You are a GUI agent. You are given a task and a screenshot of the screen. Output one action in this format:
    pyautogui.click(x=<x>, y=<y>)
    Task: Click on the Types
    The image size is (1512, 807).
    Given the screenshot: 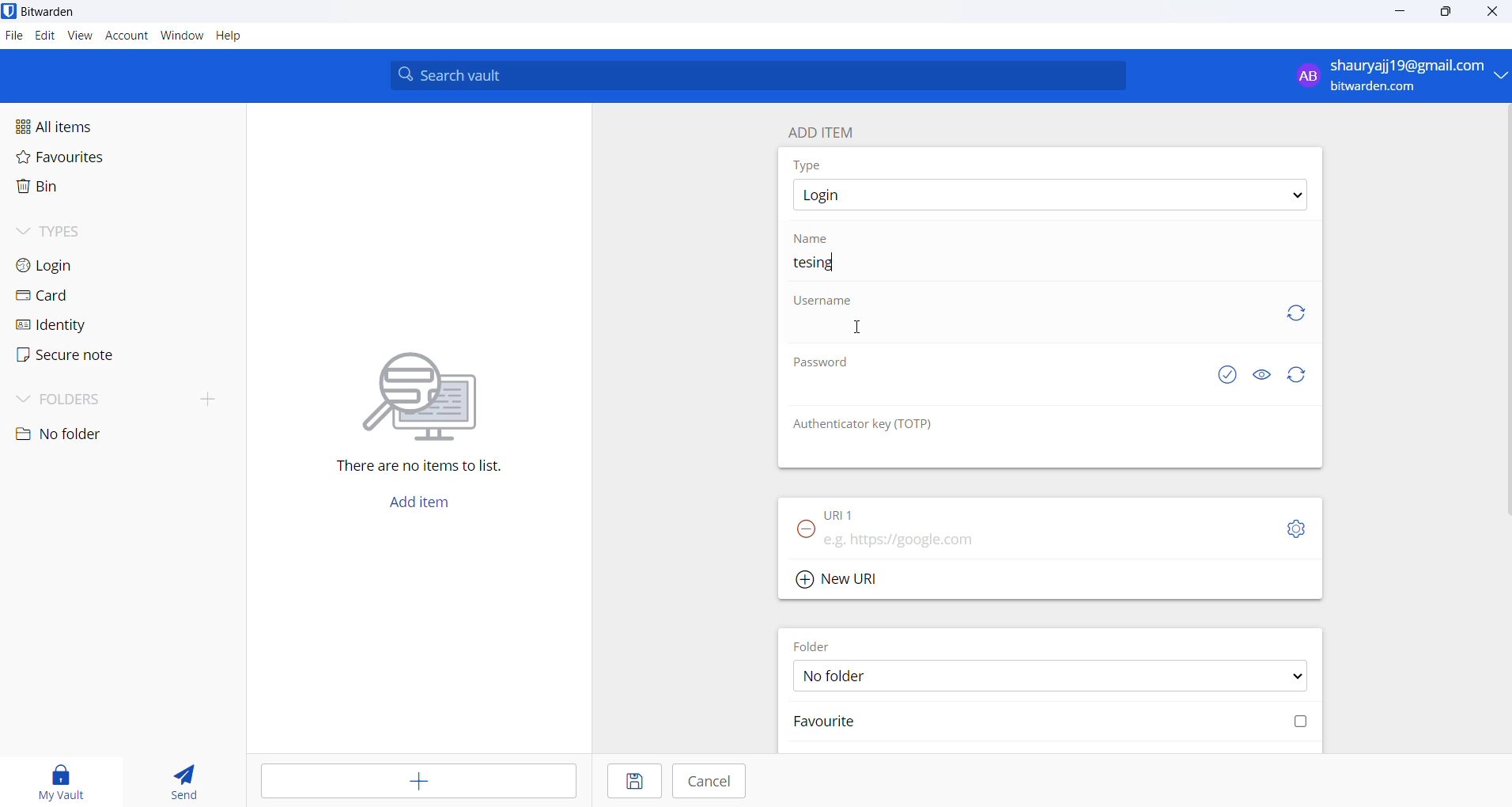 What is the action you would take?
    pyautogui.click(x=76, y=229)
    